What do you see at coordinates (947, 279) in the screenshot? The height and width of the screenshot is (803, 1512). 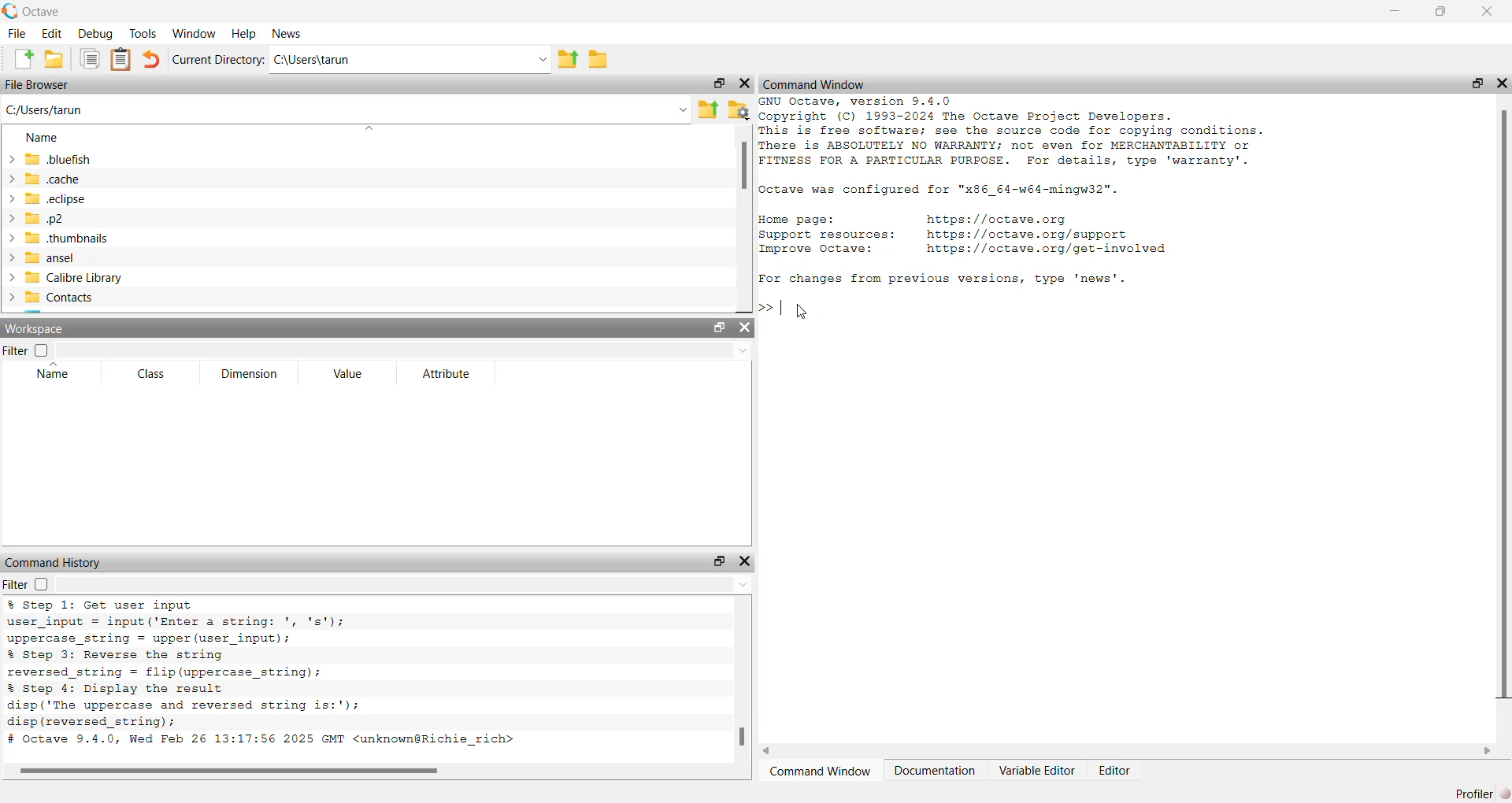 I see `For changes from previous versions, type 'news'.` at bounding box center [947, 279].